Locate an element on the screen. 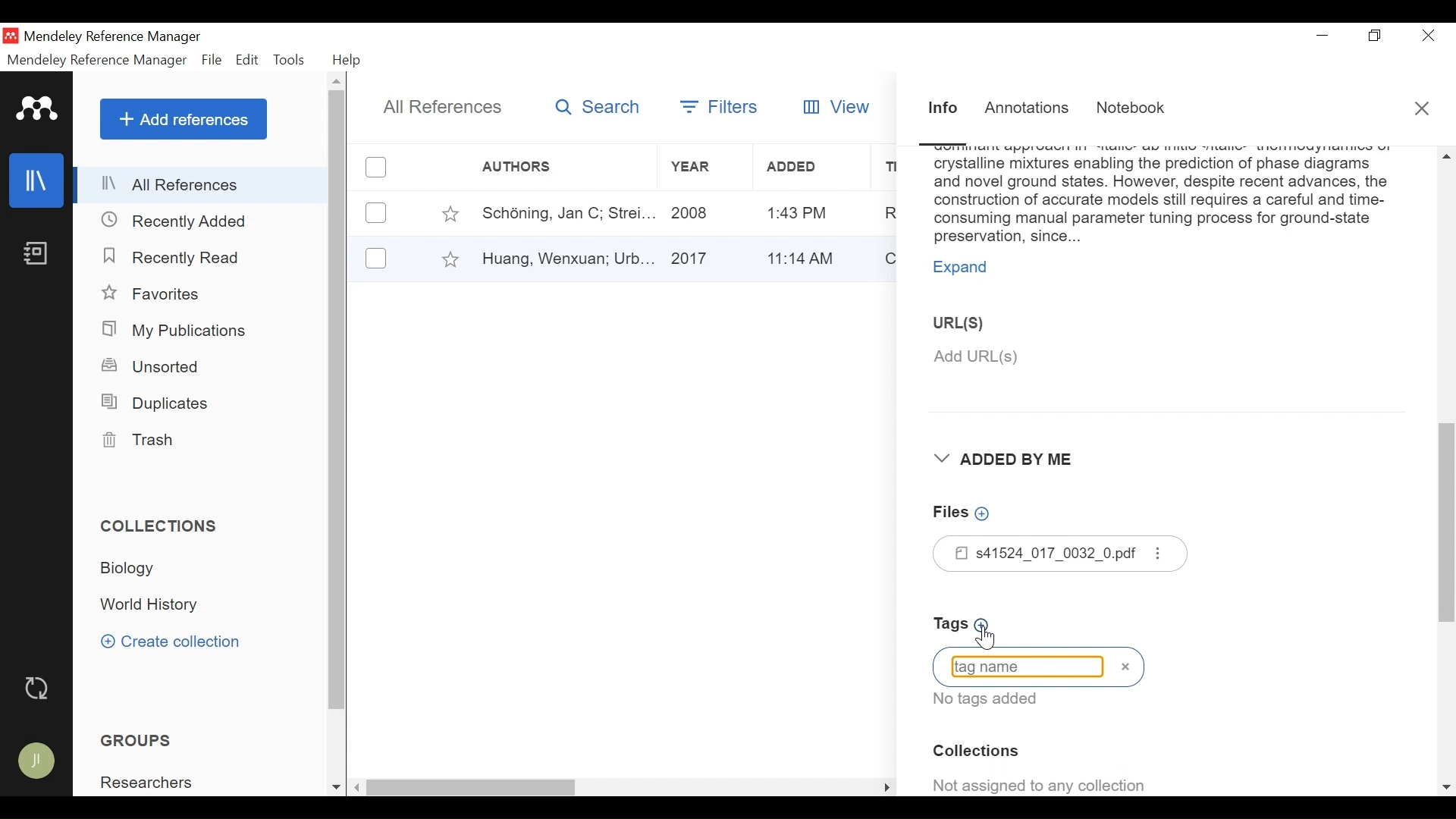 The width and height of the screenshot is (1456, 819). Scroll down is located at coordinates (336, 789).